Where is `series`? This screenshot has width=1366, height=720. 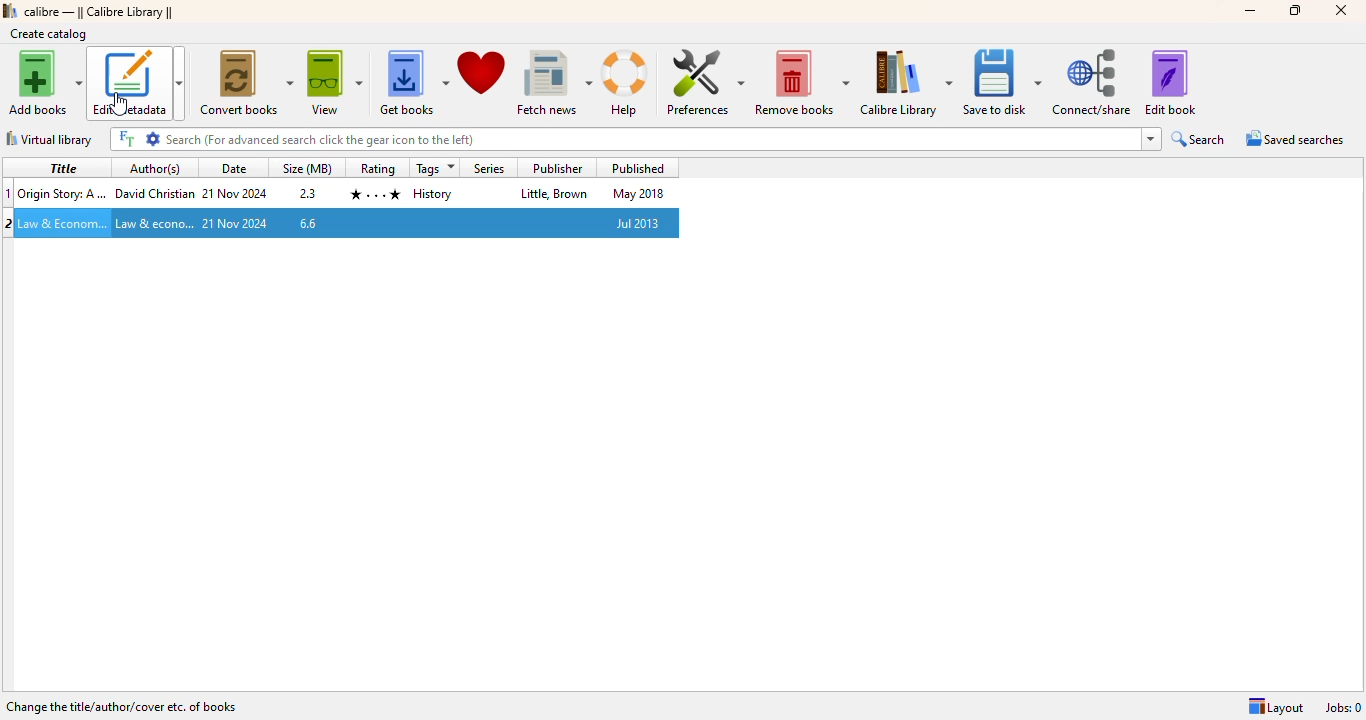 series is located at coordinates (489, 167).